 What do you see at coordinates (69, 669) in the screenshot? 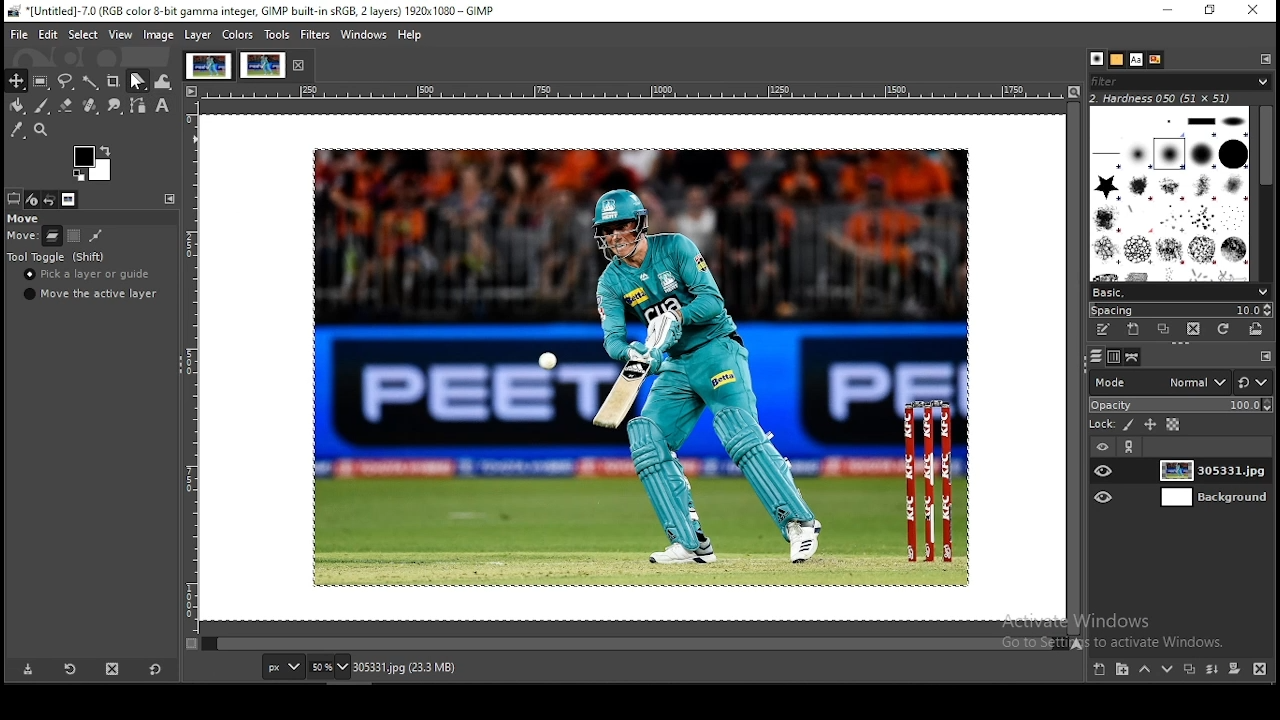
I see `restore tool preset` at bounding box center [69, 669].